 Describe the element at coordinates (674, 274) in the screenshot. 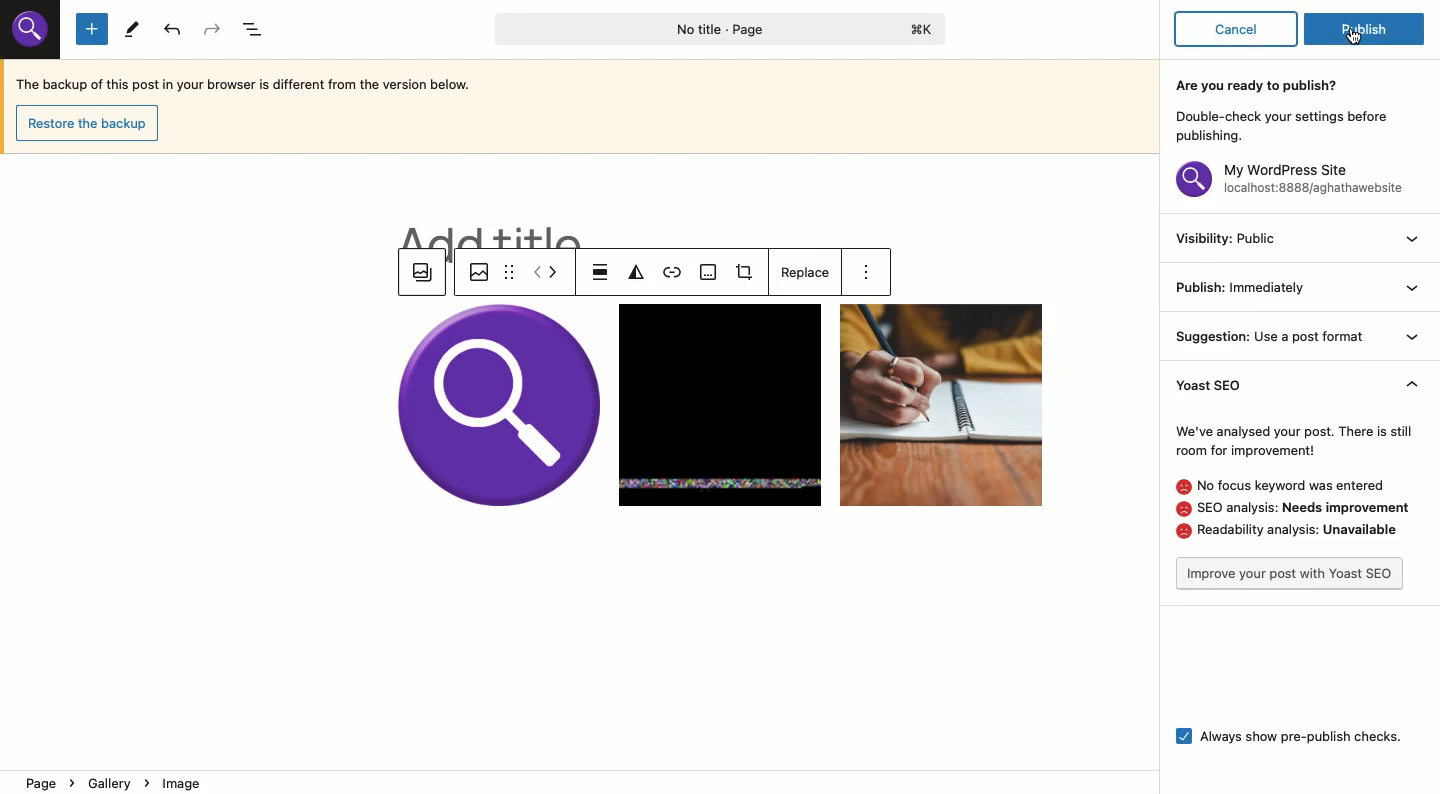

I see `Link` at that location.